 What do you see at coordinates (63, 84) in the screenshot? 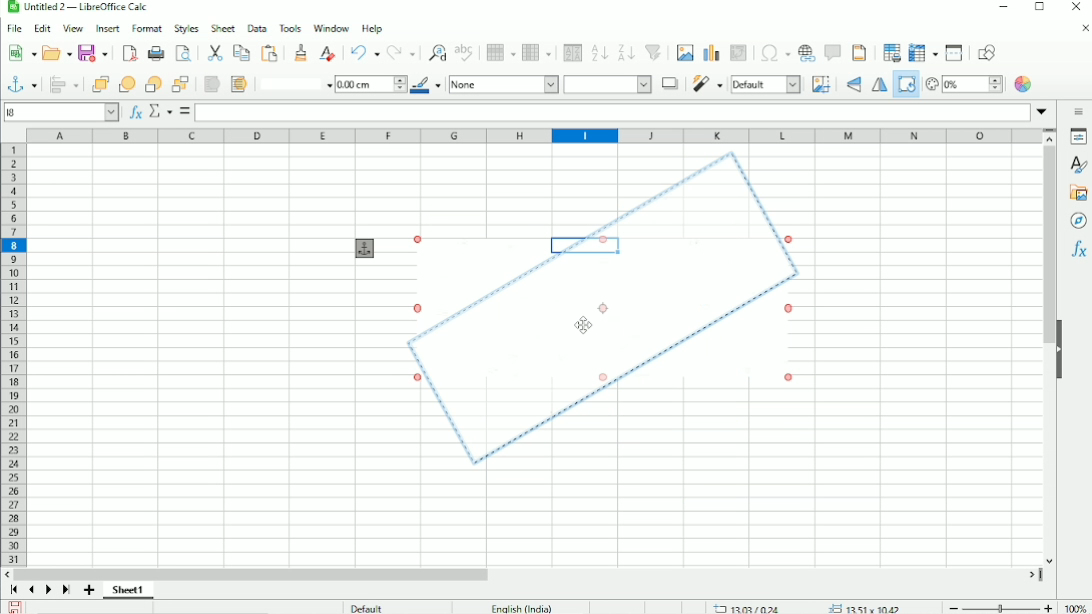
I see `Align objects` at bounding box center [63, 84].